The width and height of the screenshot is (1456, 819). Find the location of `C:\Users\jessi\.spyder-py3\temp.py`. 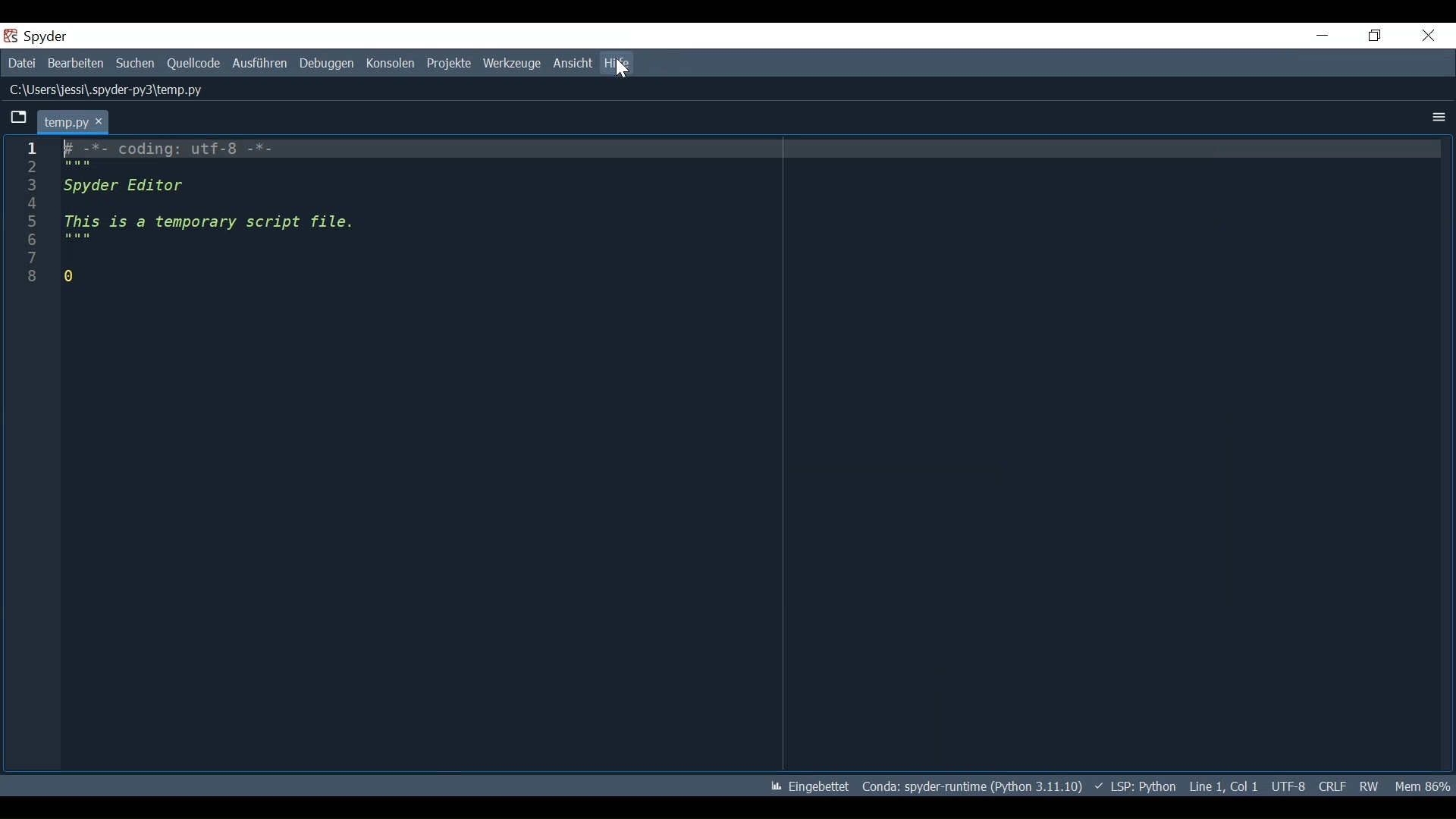

C:\Users\jessi\.spyder-py3\temp.py is located at coordinates (107, 89).